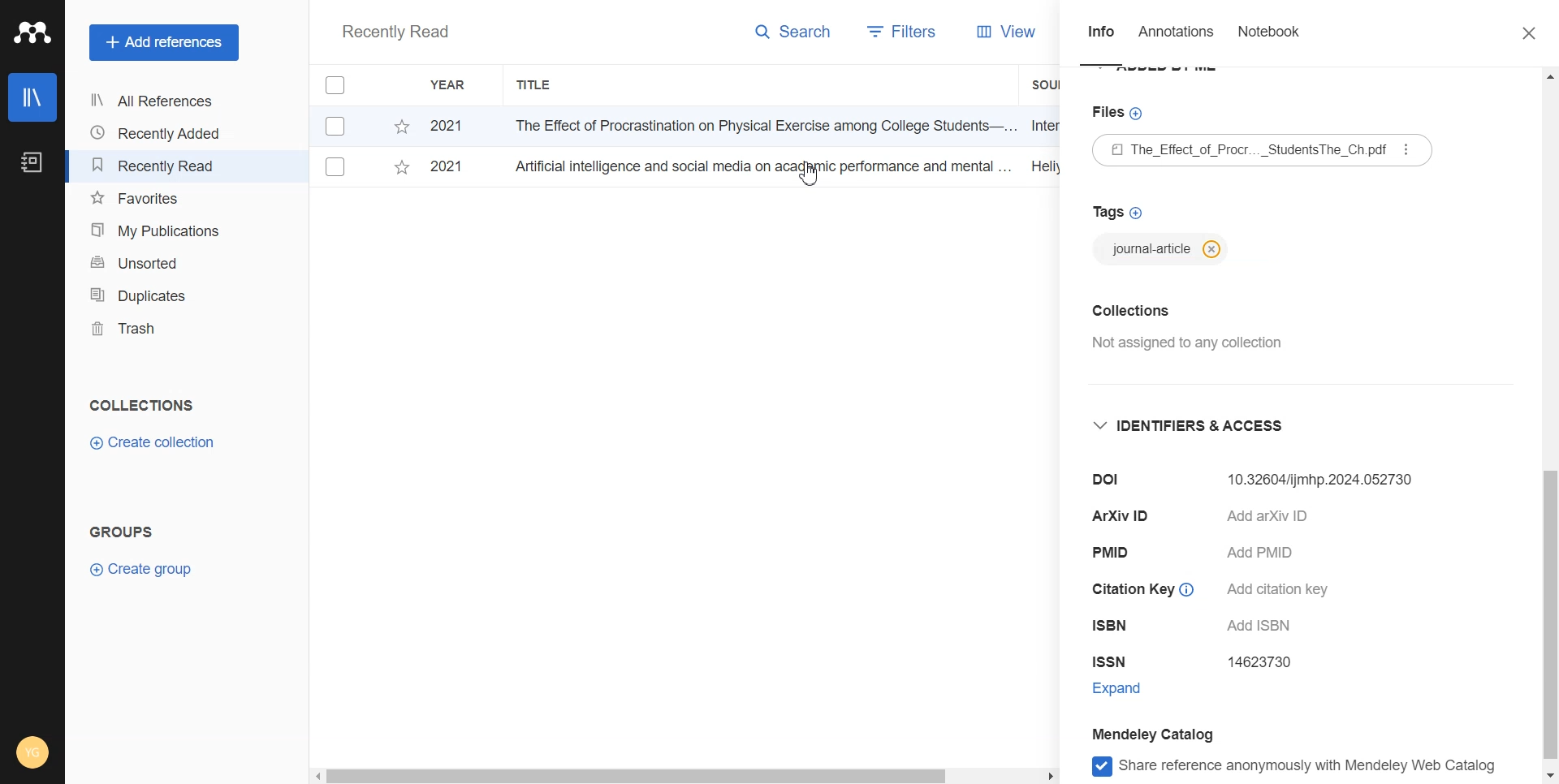 This screenshot has height=784, width=1559. I want to click on Dol 10.32604/ijmhp.2024.052730, so click(1259, 483).